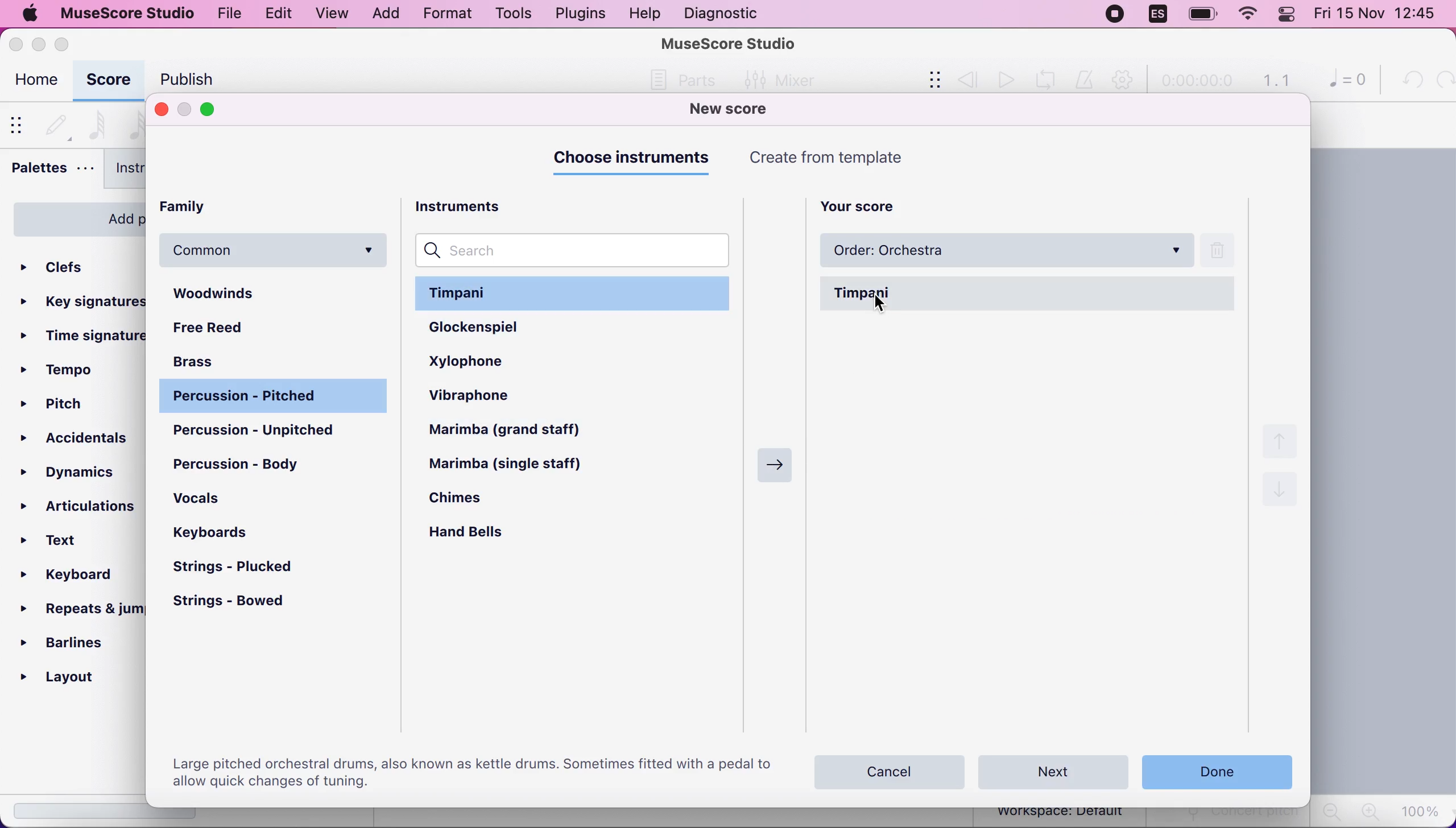  I want to click on choose instruments, so click(635, 159).